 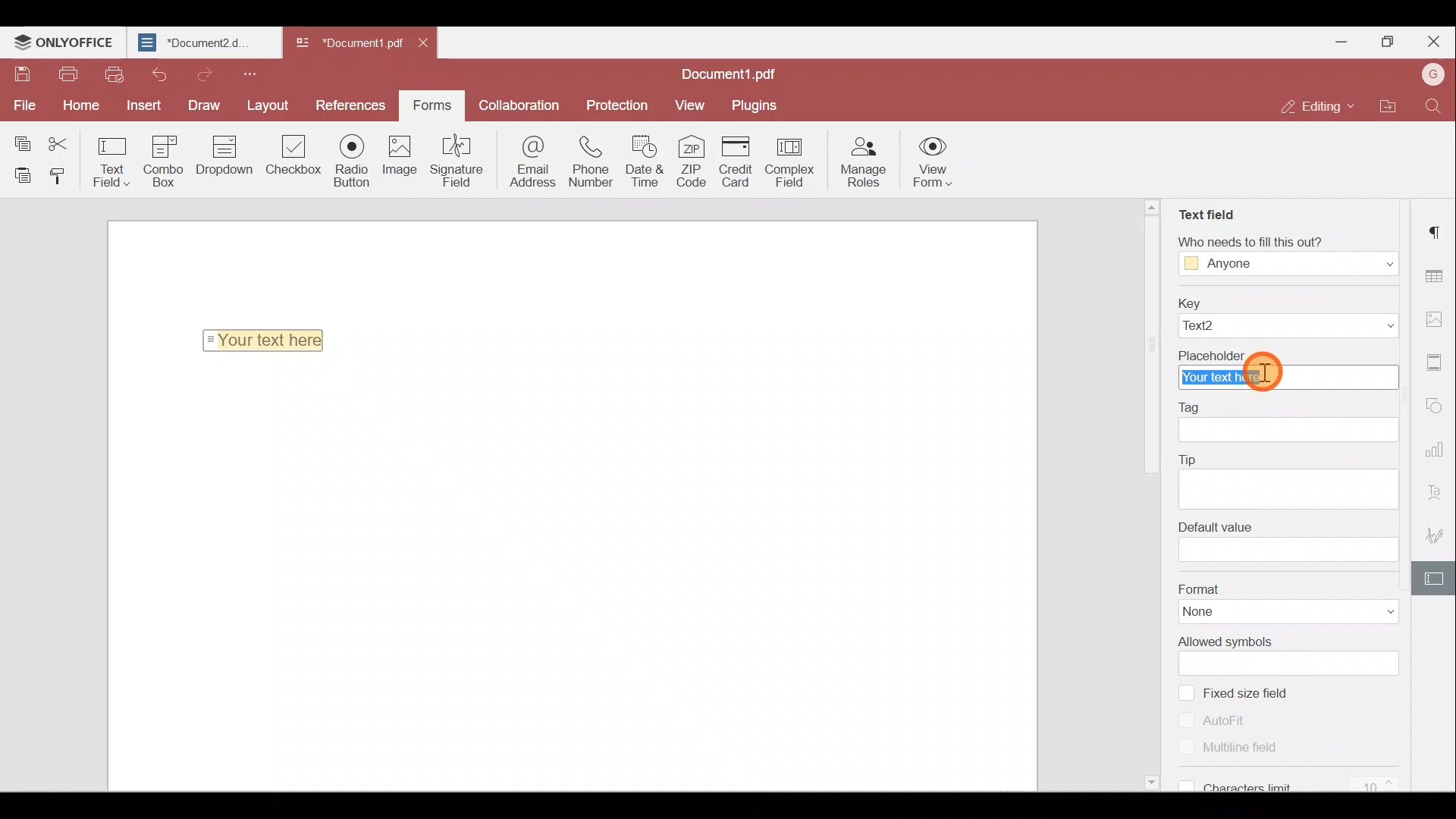 What do you see at coordinates (1438, 488) in the screenshot?
I see `Text Art settings` at bounding box center [1438, 488].